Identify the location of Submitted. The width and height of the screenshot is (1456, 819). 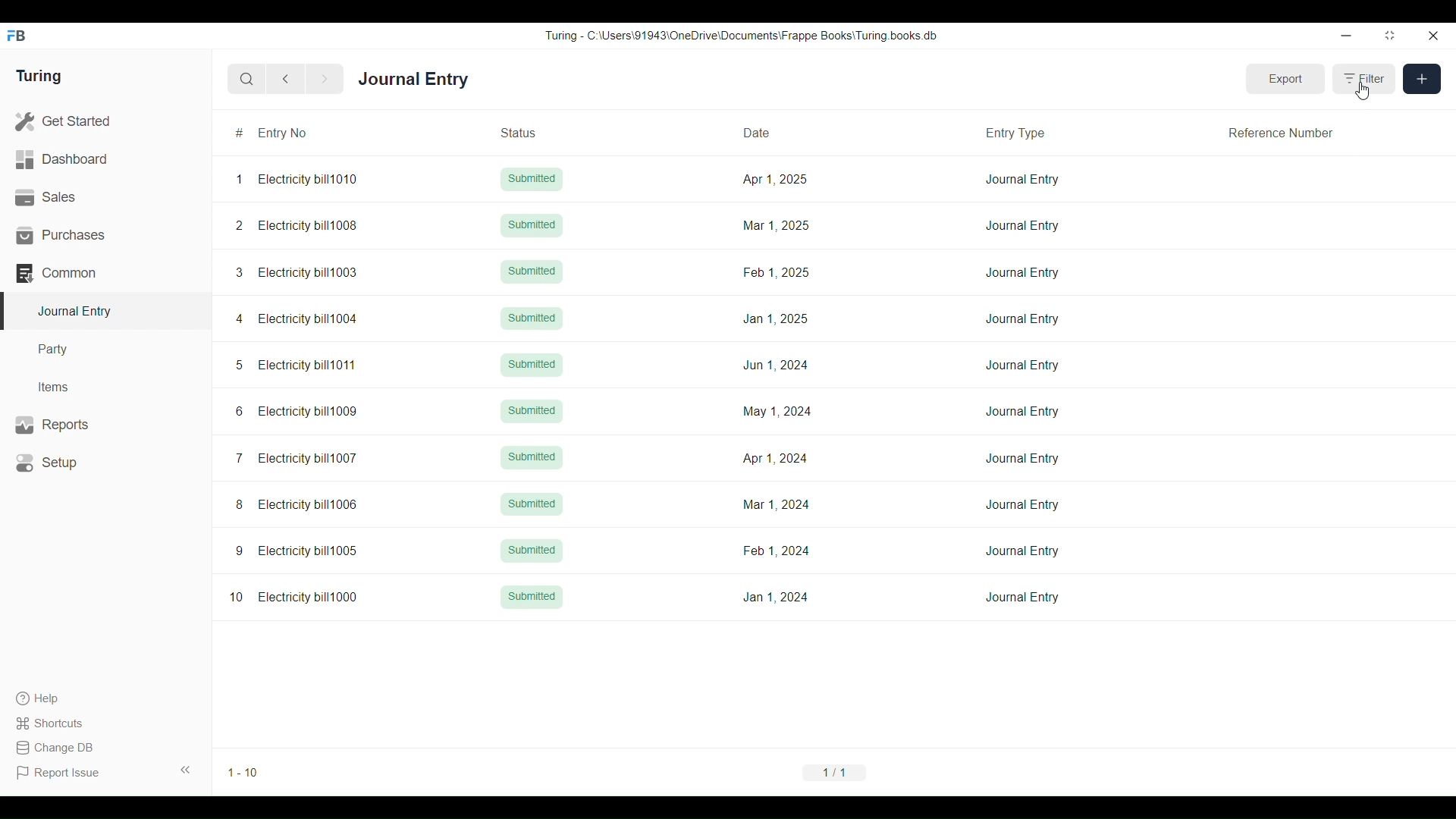
(532, 225).